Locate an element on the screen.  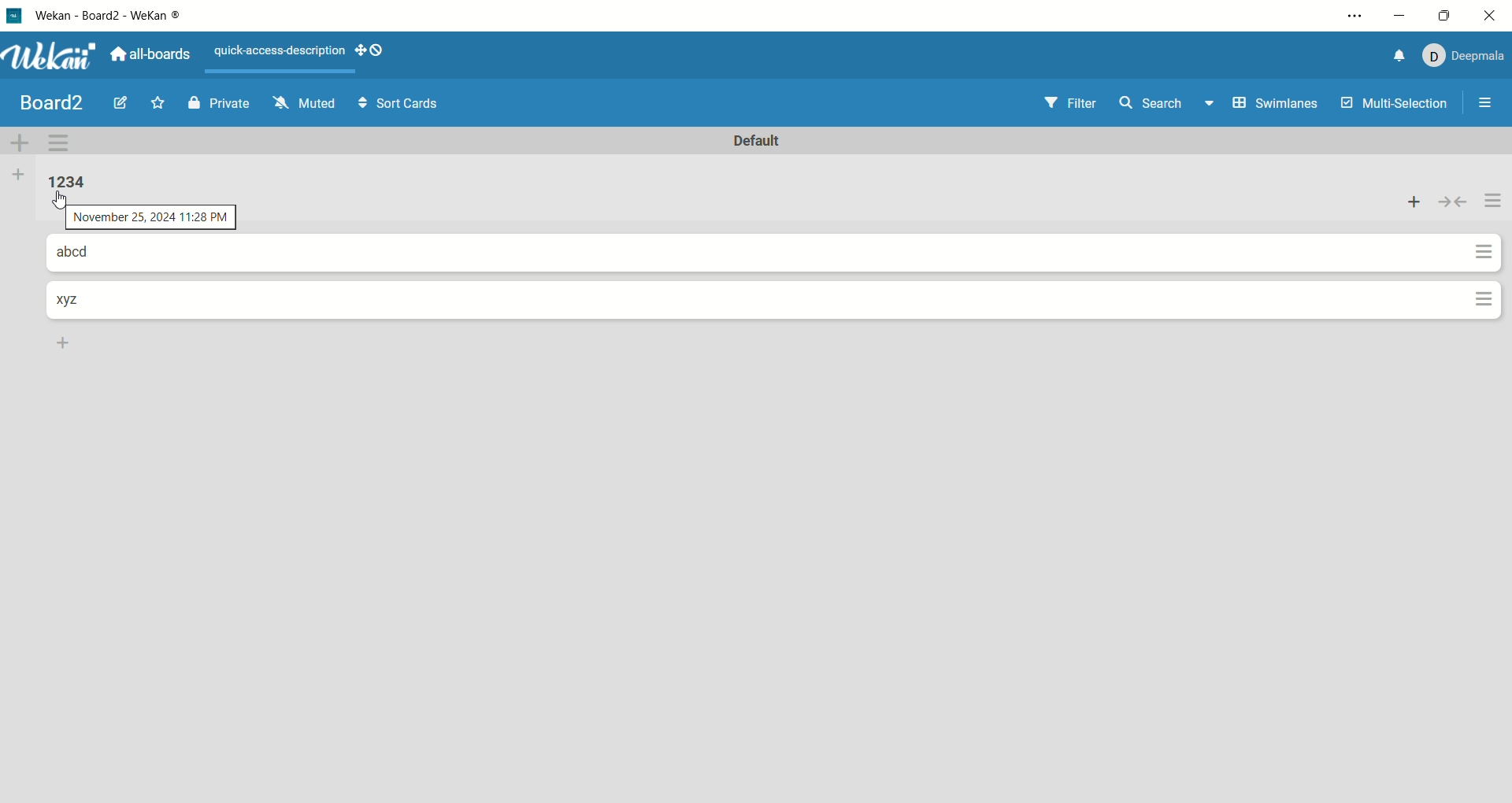
actions is located at coordinates (1484, 276).